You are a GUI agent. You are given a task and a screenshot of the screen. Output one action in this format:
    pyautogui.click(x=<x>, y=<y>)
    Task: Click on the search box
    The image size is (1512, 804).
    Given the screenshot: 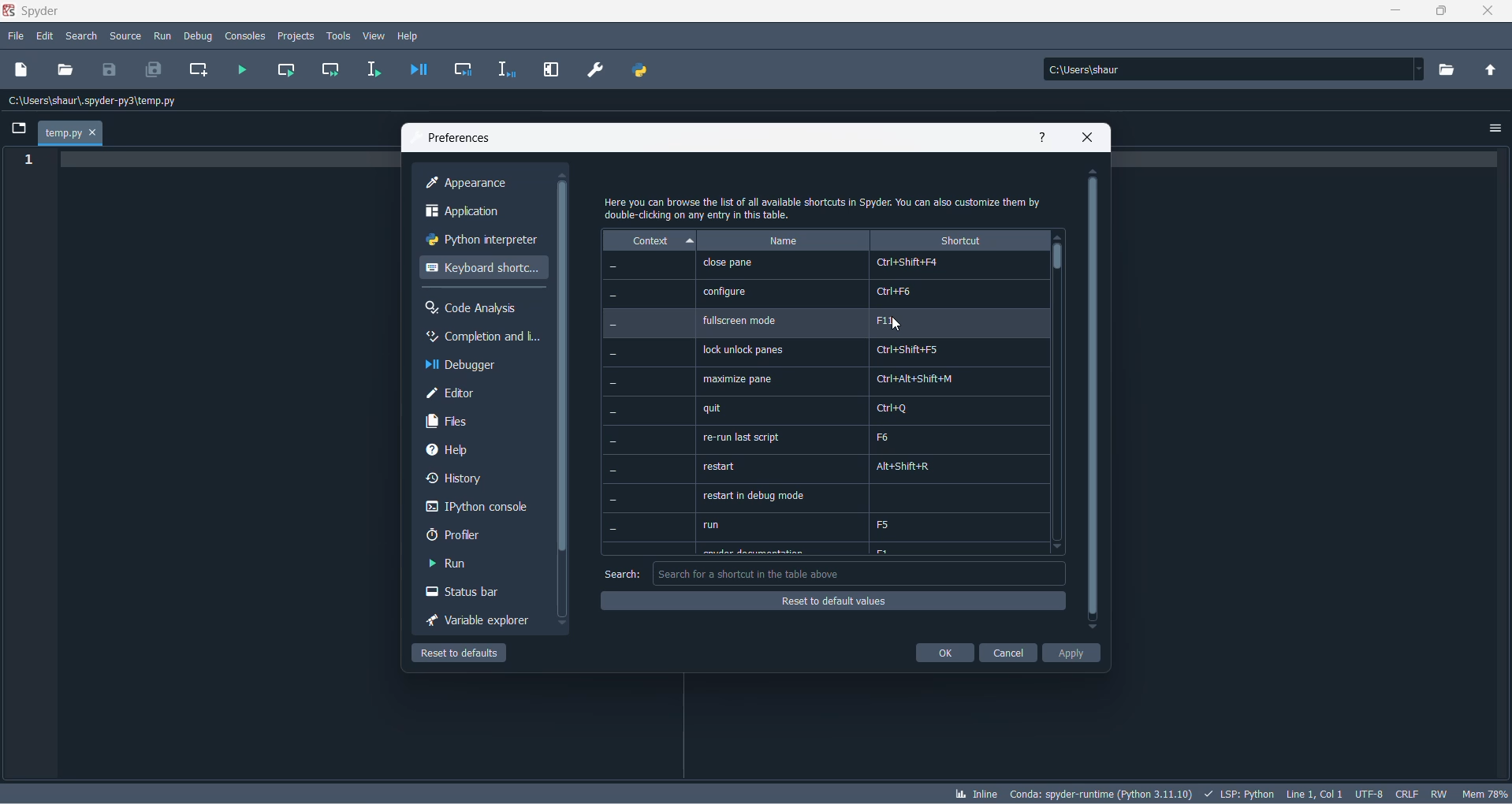 What is the action you would take?
    pyautogui.click(x=862, y=573)
    